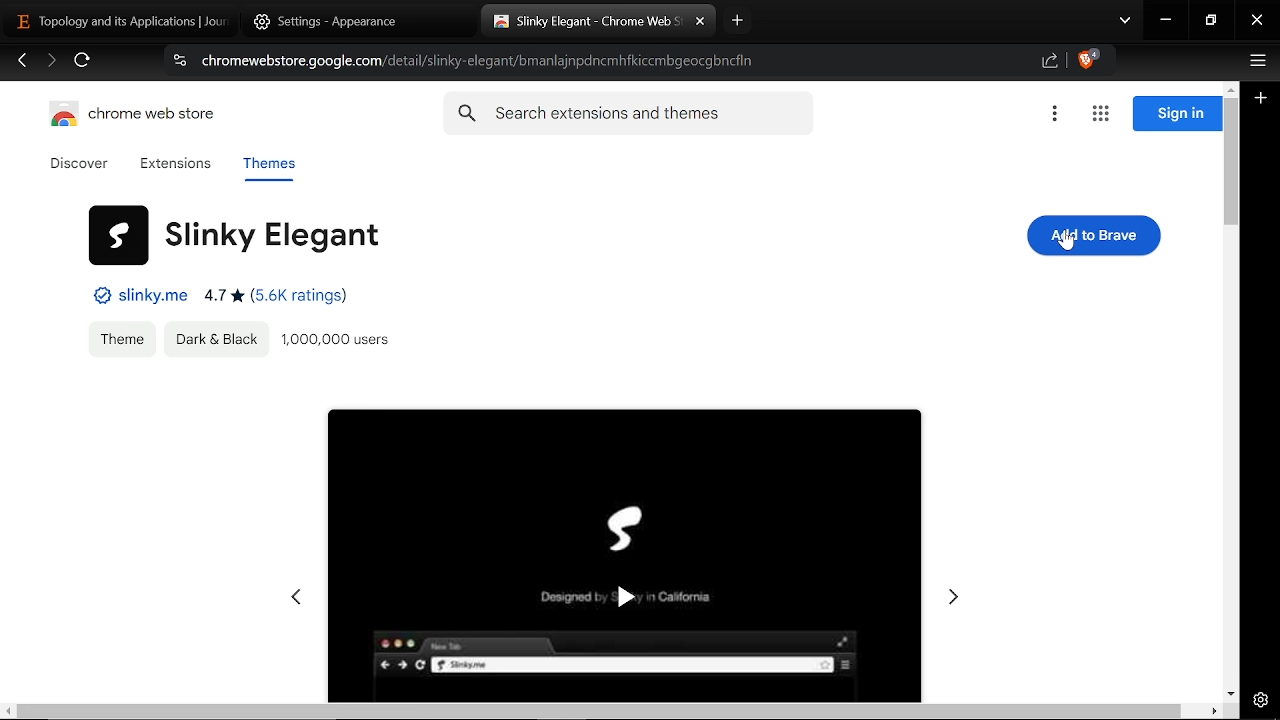 The image size is (1280, 720). Describe the element at coordinates (482, 61) in the screenshot. I see `Current web address` at that location.